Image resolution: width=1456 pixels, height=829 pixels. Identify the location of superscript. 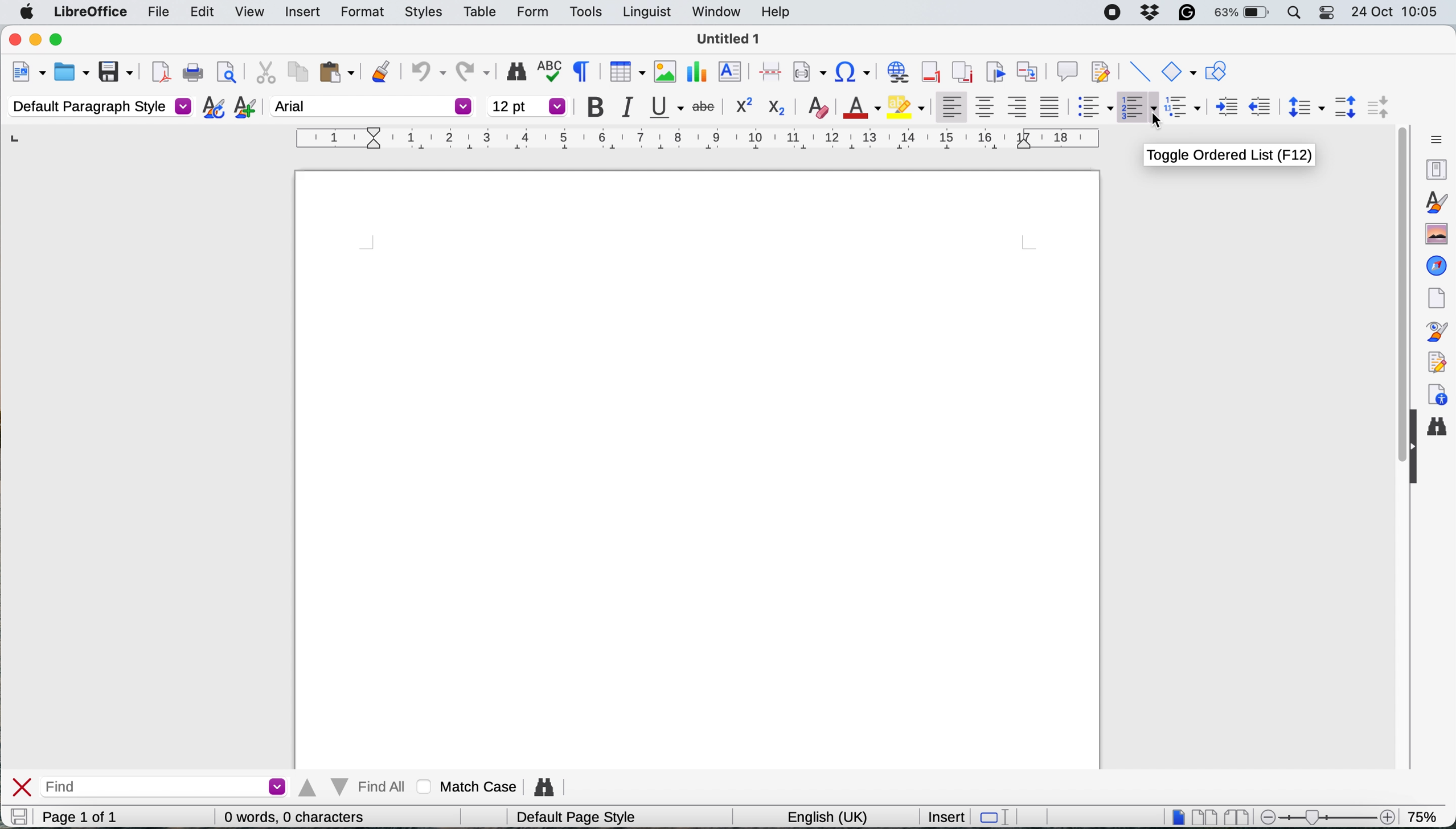
(741, 105).